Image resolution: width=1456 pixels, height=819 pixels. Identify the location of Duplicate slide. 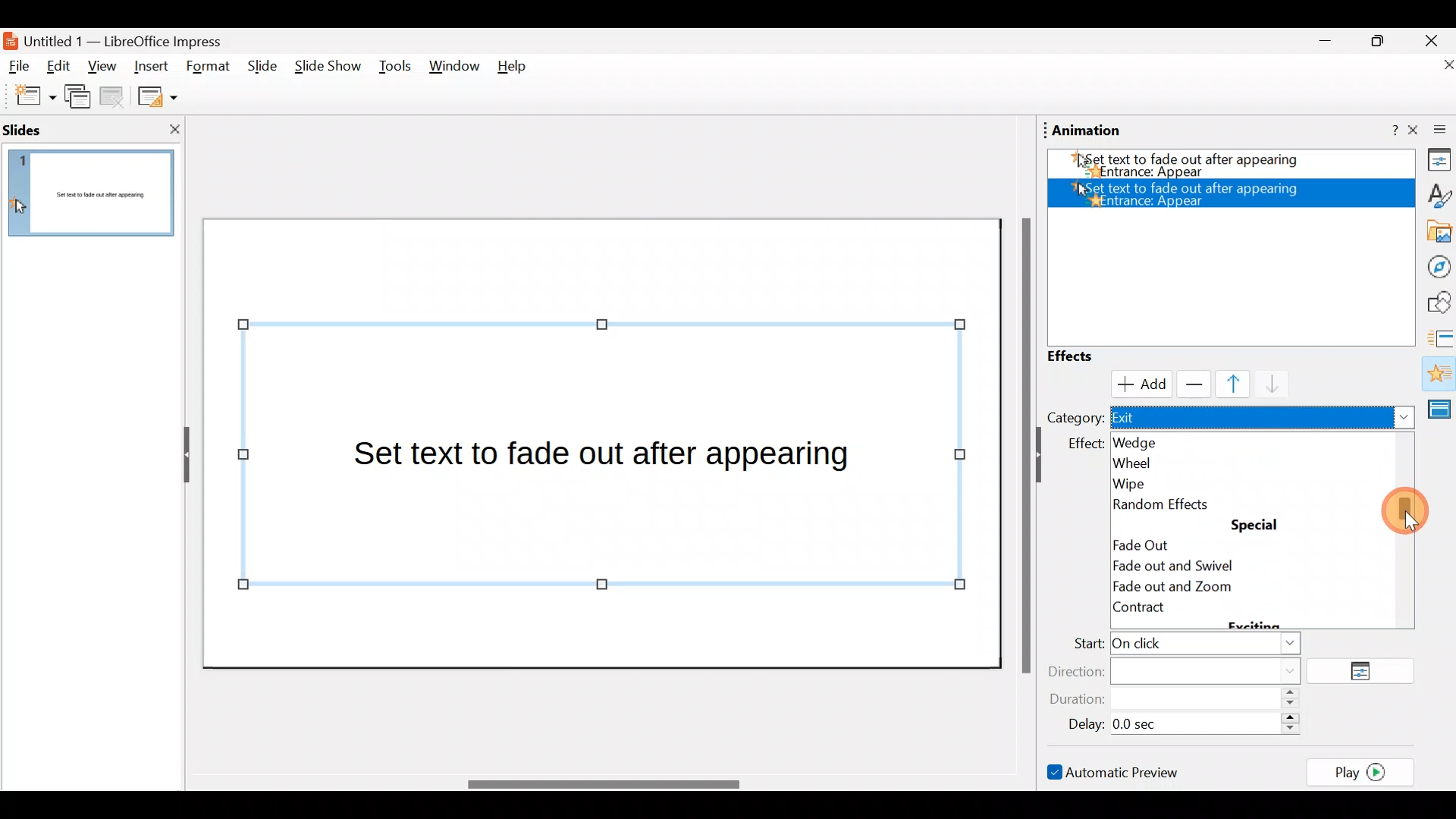
(80, 99).